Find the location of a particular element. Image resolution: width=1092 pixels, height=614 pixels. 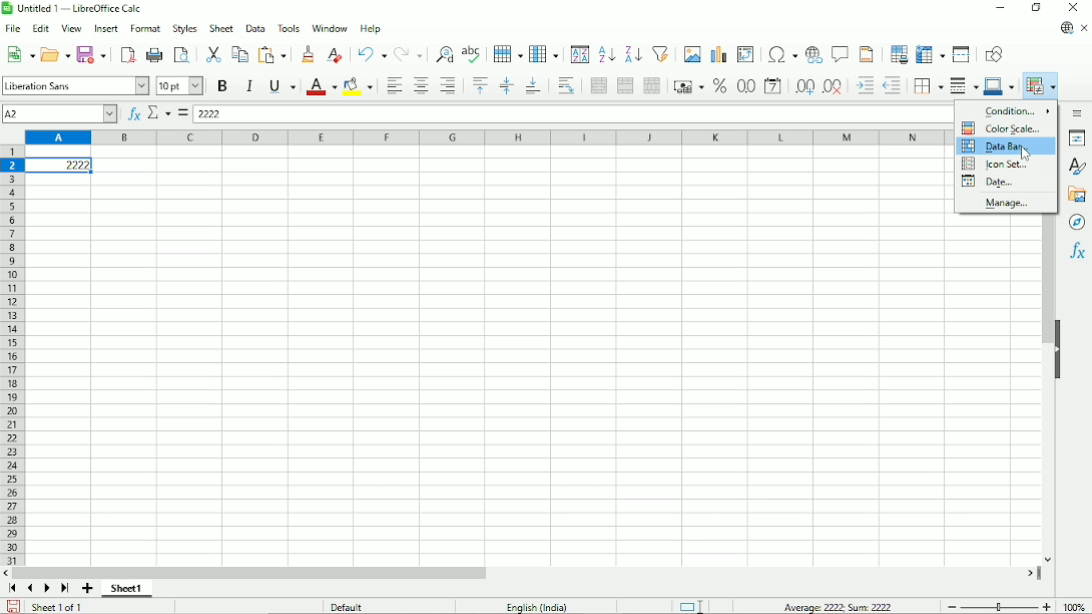

Date is located at coordinates (989, 182).